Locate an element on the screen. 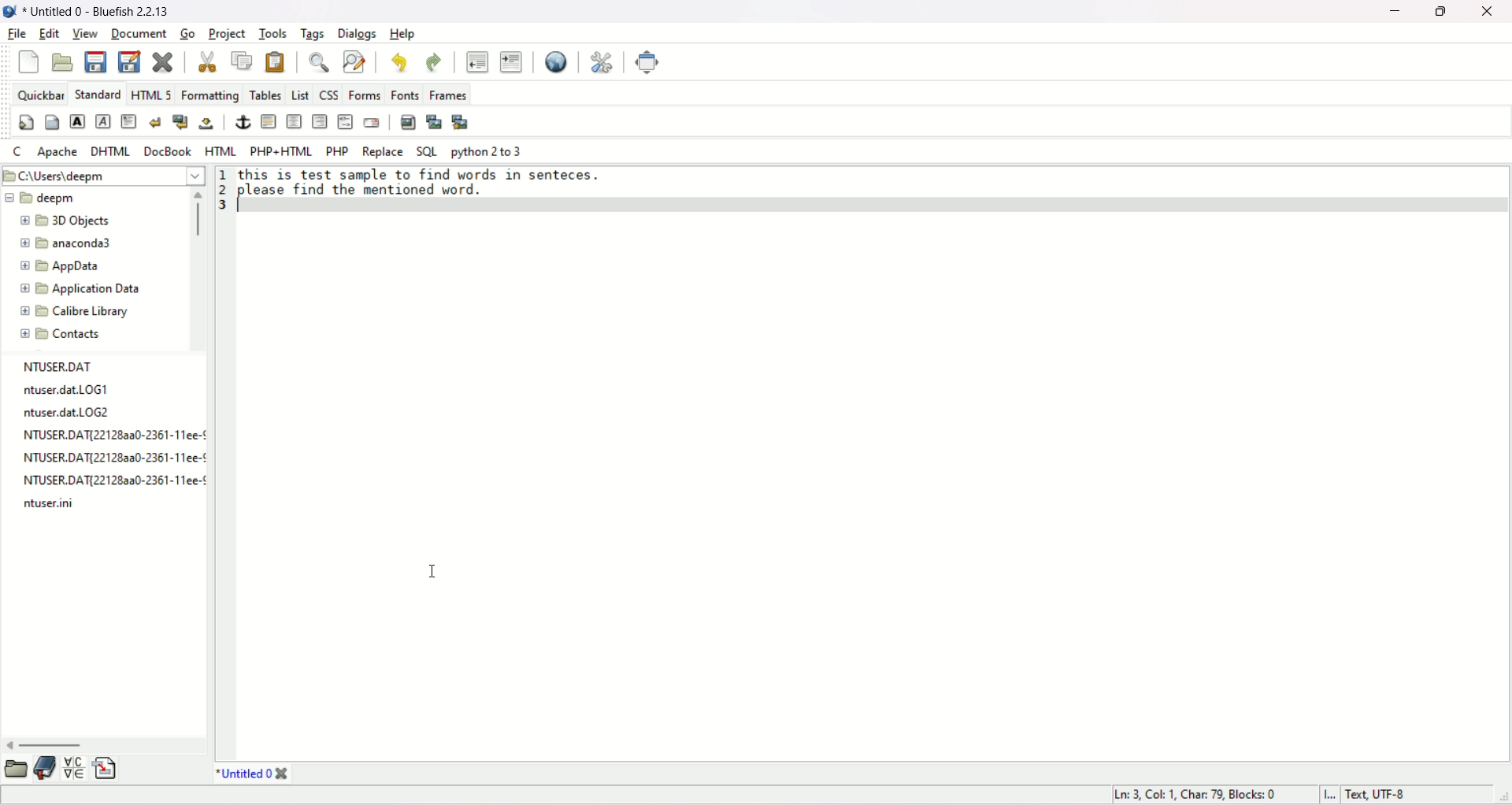 This screenshot has width=1512, height=805. new is located at coordinates (29, 61).